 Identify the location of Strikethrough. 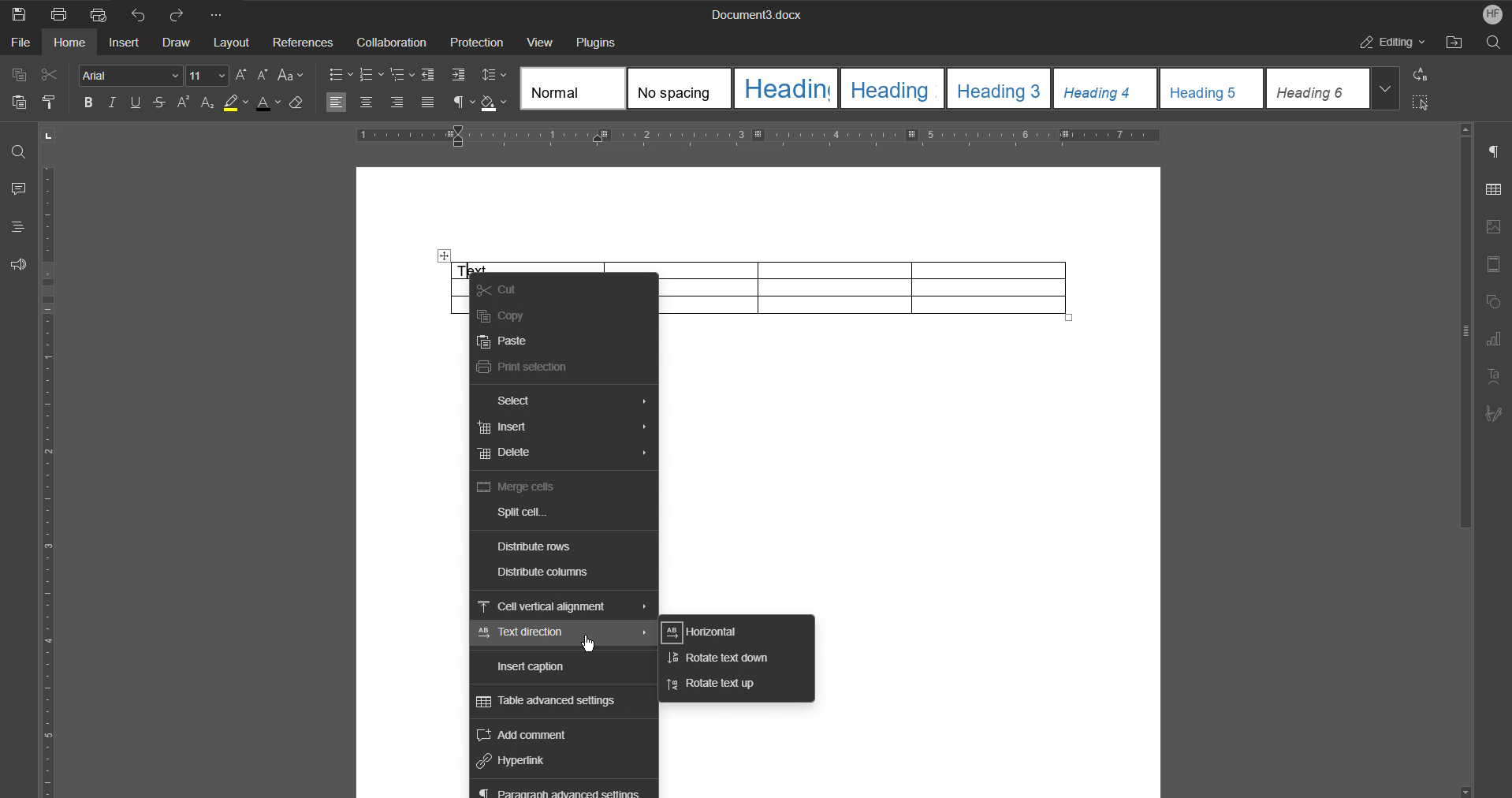
(158, 103).